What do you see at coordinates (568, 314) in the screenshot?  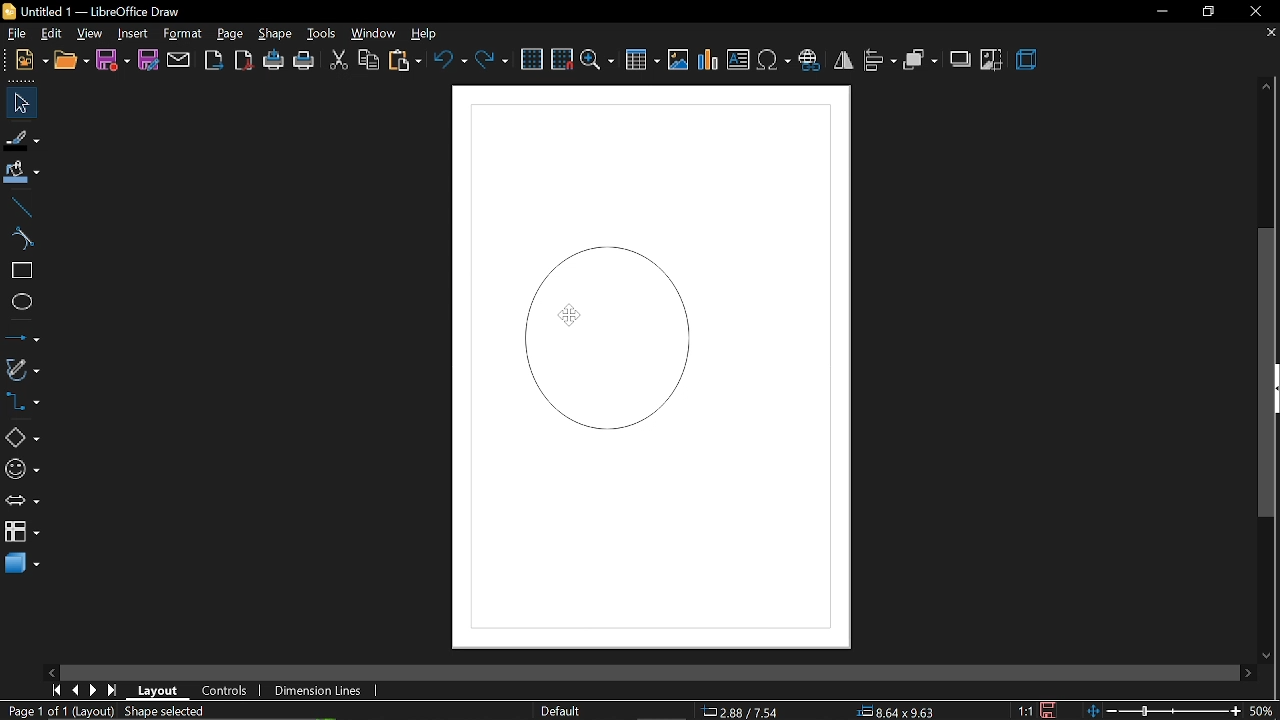 I see `Cursor` at bounding box center [568, 314].